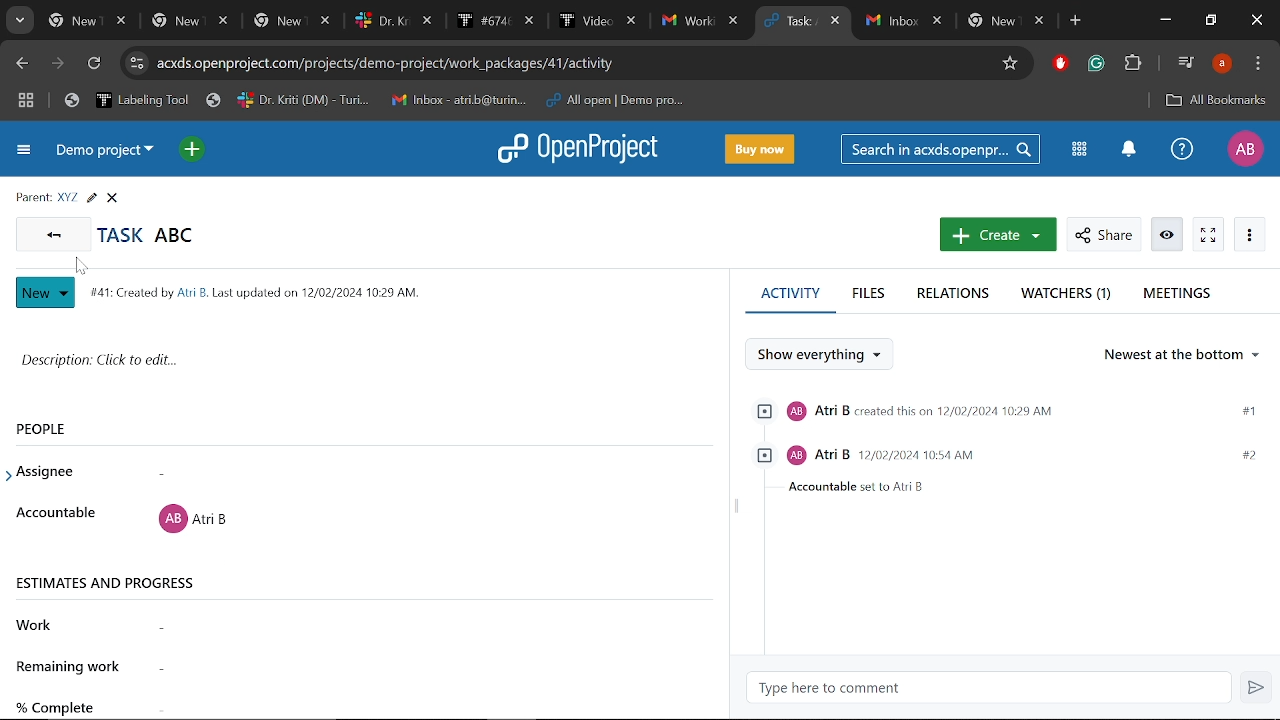 This screenshot has width=1280, height=720. What do you see at coordinates (790, 21) in the screenshot?
I see `Current tab` at bounding box center [790, 21].